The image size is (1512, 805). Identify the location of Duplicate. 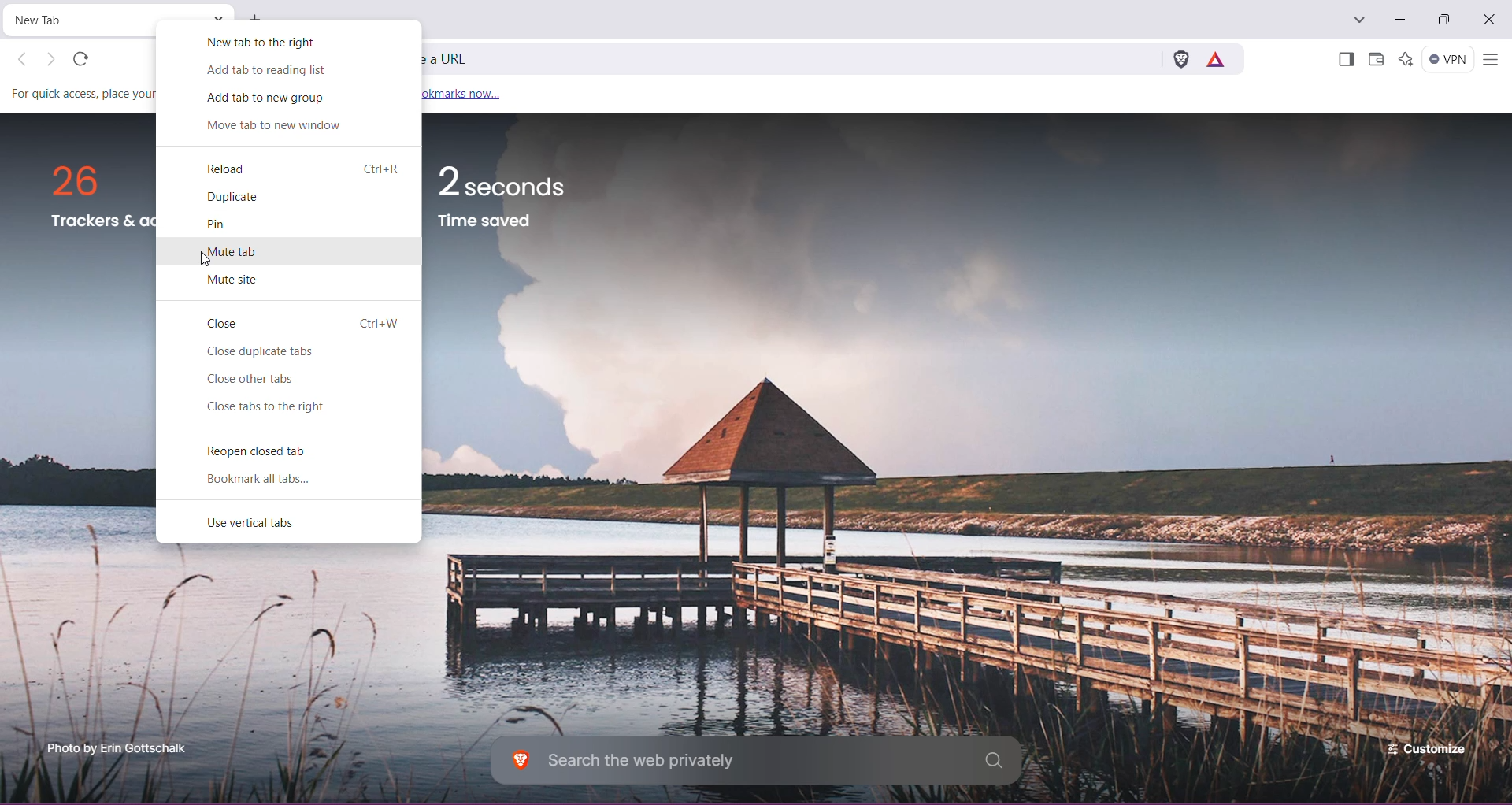
(232, 197).